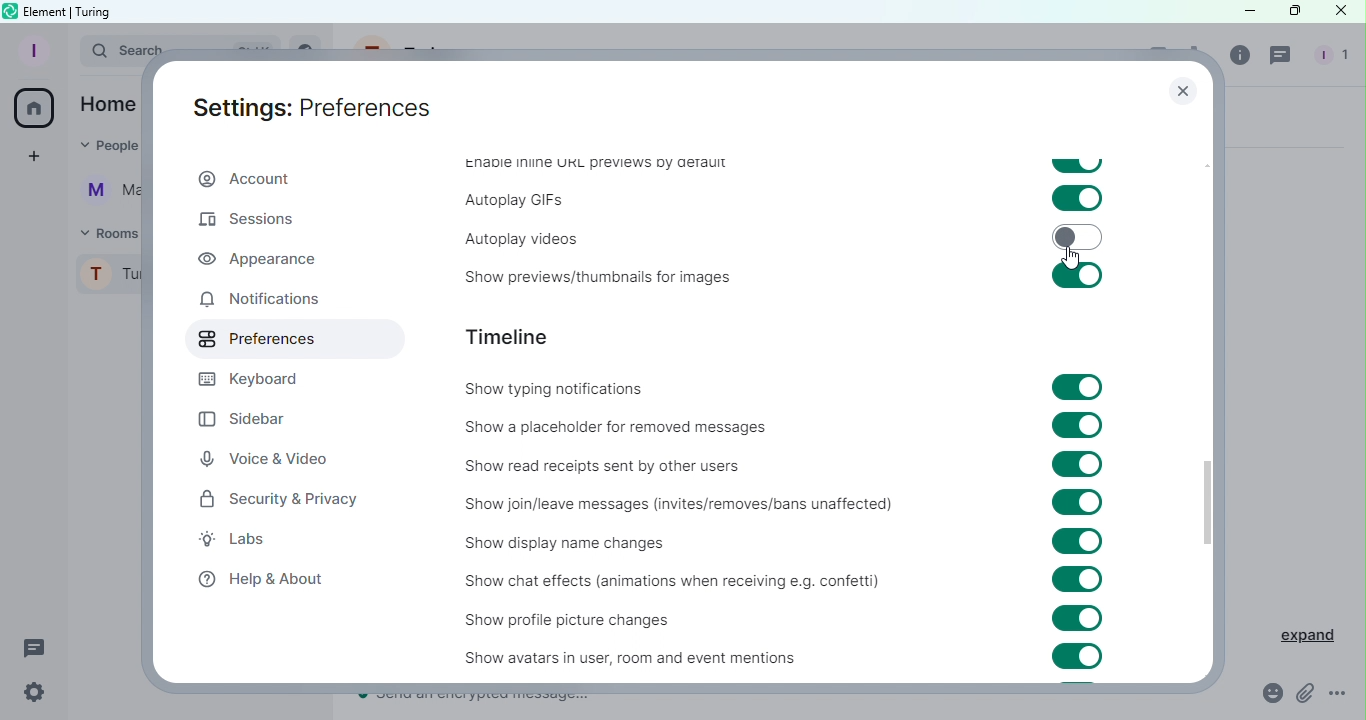 Image resolution: width=1366 pixels, height=720 pixels. What do you see at coordinates (108, 53) in the screenshot?
I see `Search` at bounding box center [108, 53].